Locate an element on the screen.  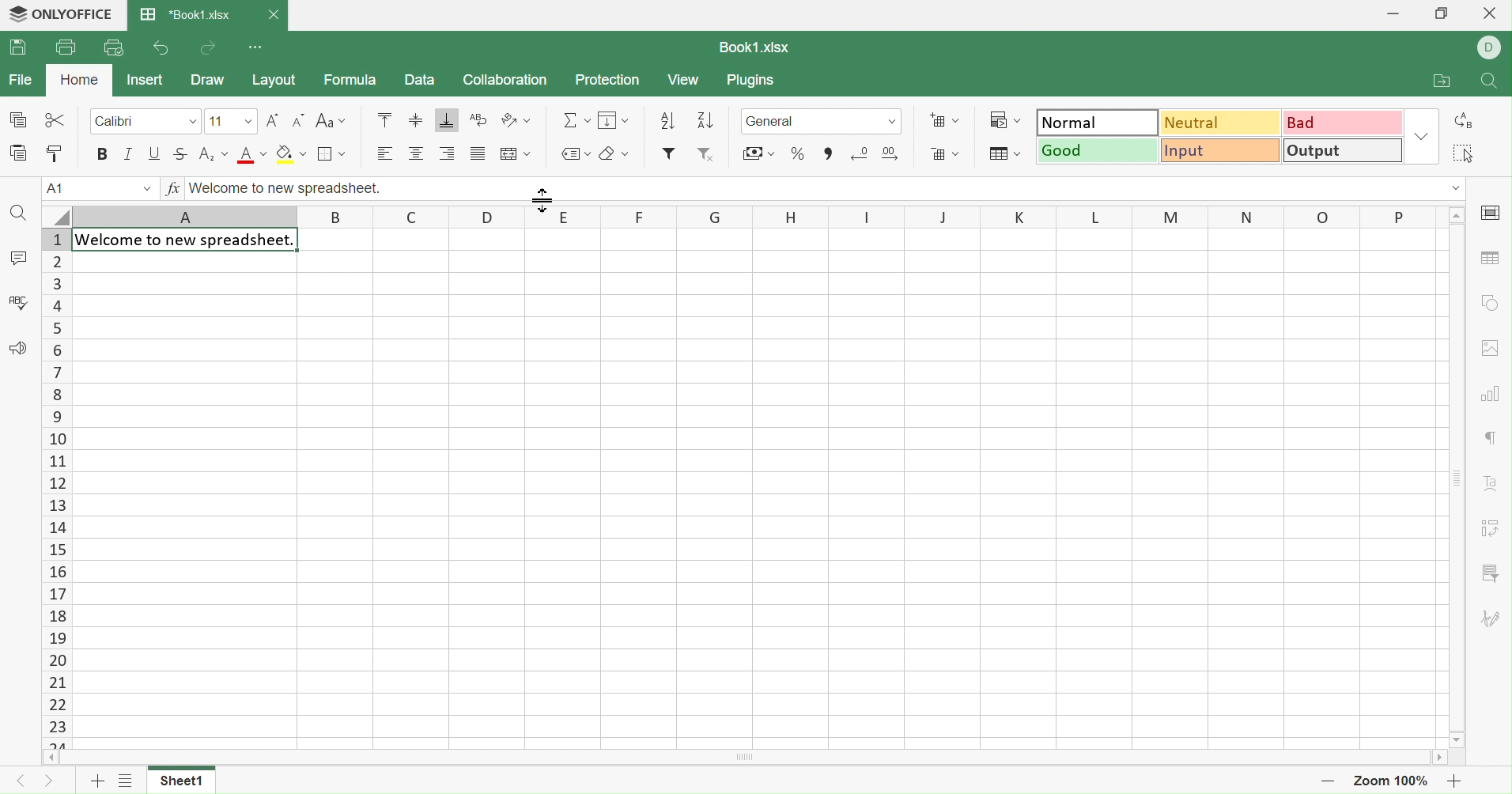
Comma style is located at coordinates (827, 153).